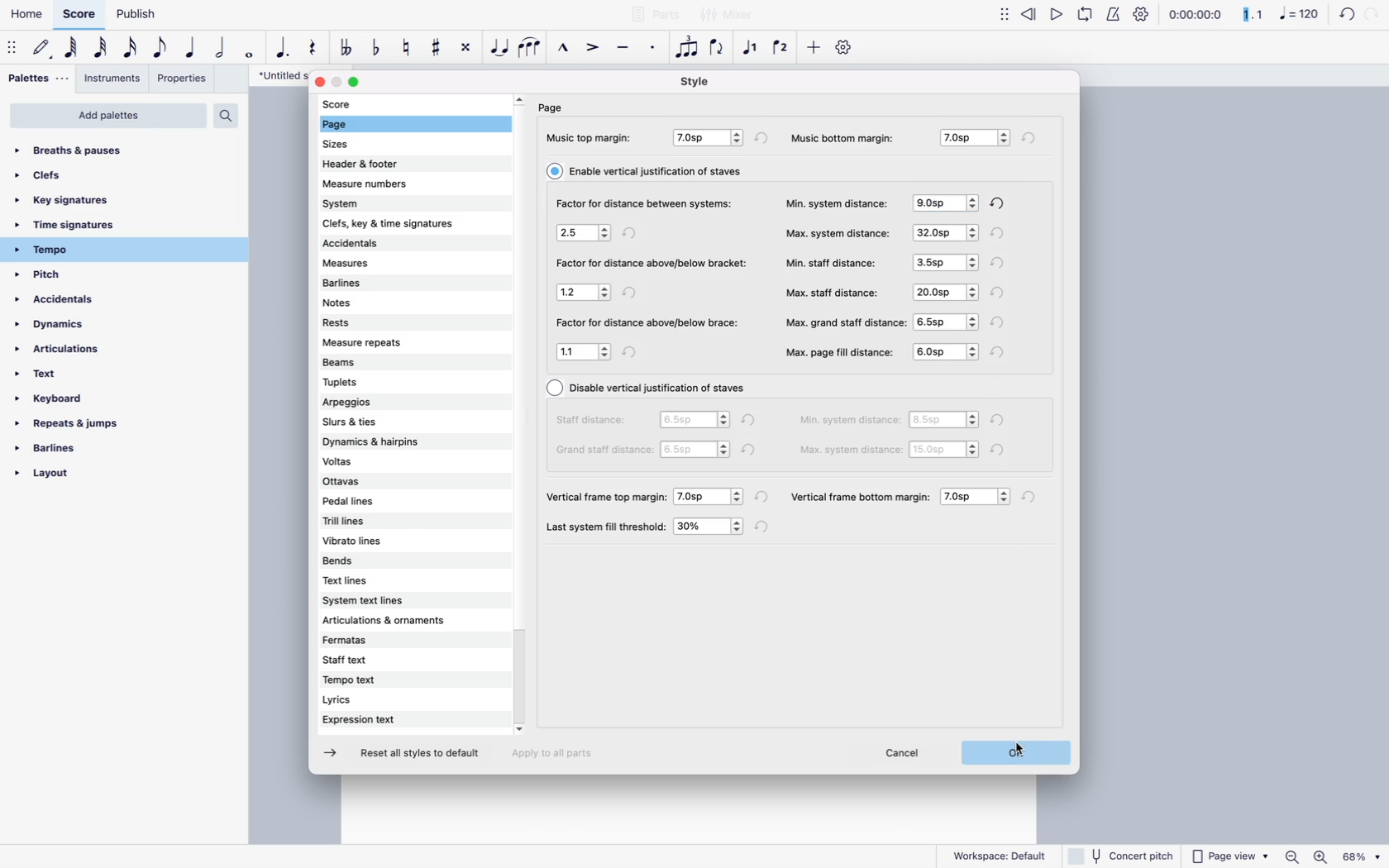 The height and width of the screenshot is (868, 1389). I want to click on system text lines, so click(386, 602).